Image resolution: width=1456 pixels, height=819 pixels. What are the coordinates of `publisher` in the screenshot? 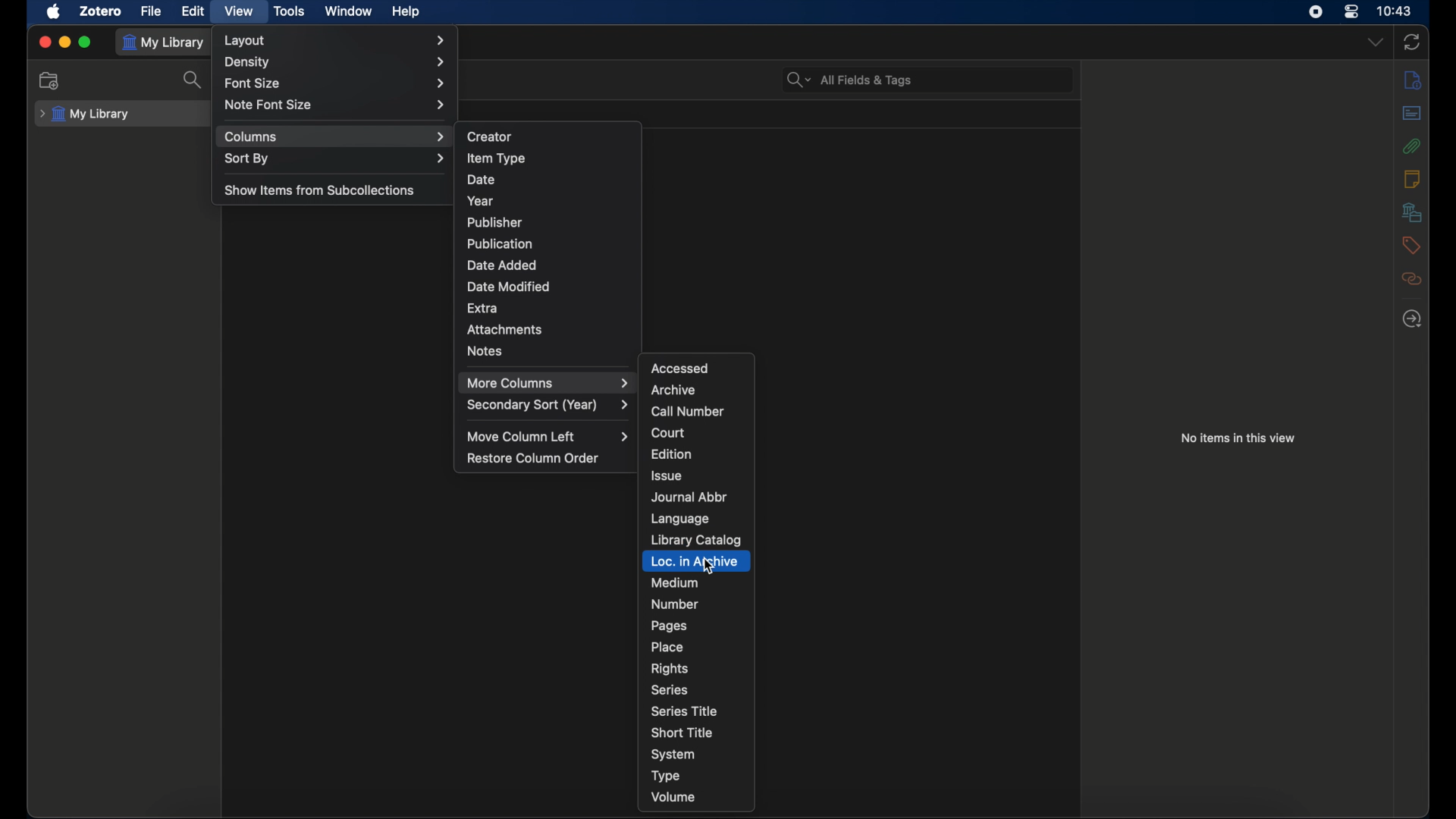 It's located at (495, 223).